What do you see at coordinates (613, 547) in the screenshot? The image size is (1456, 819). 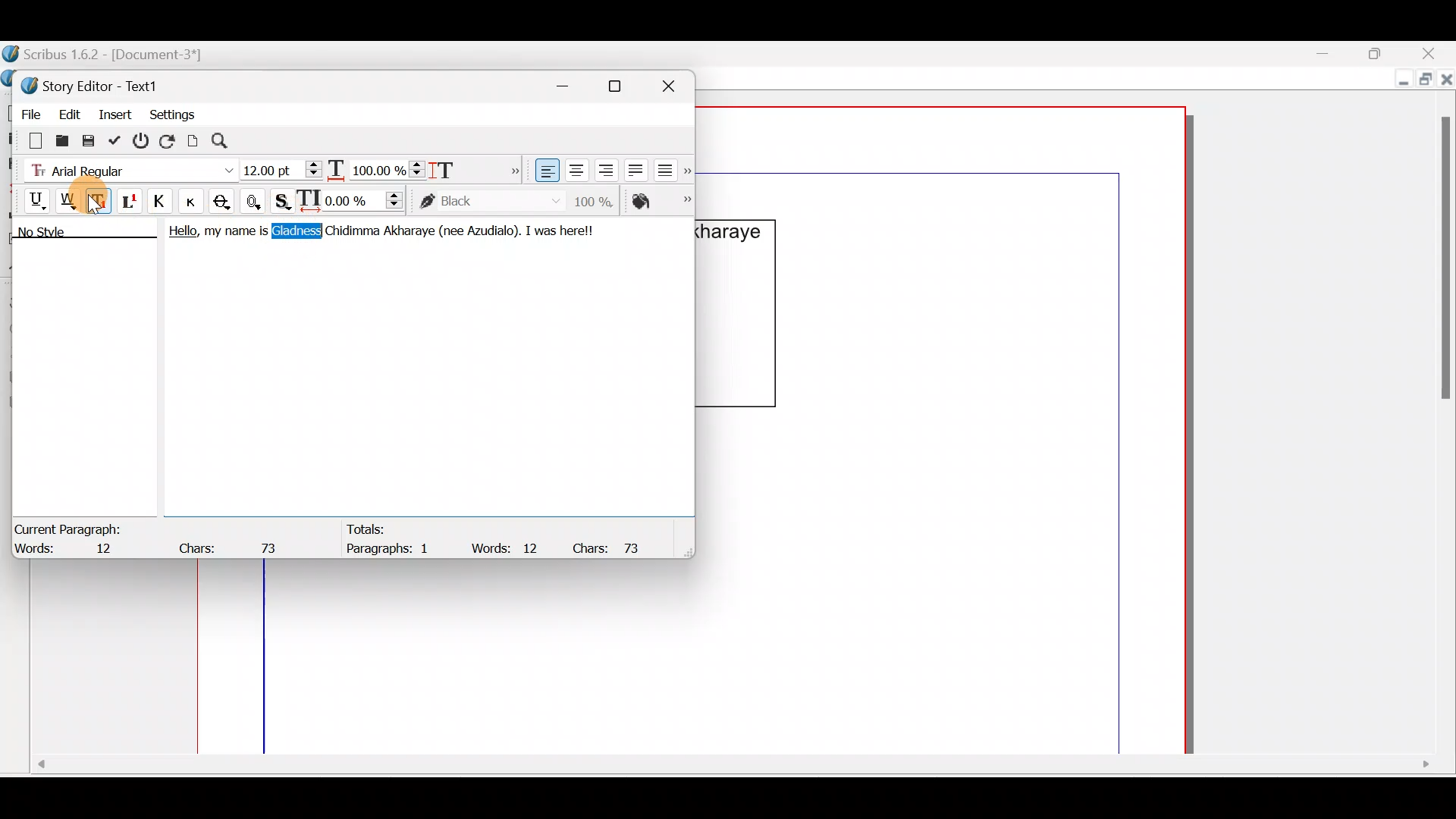 I see `Chars: 73` at bounding box center [613, 547].